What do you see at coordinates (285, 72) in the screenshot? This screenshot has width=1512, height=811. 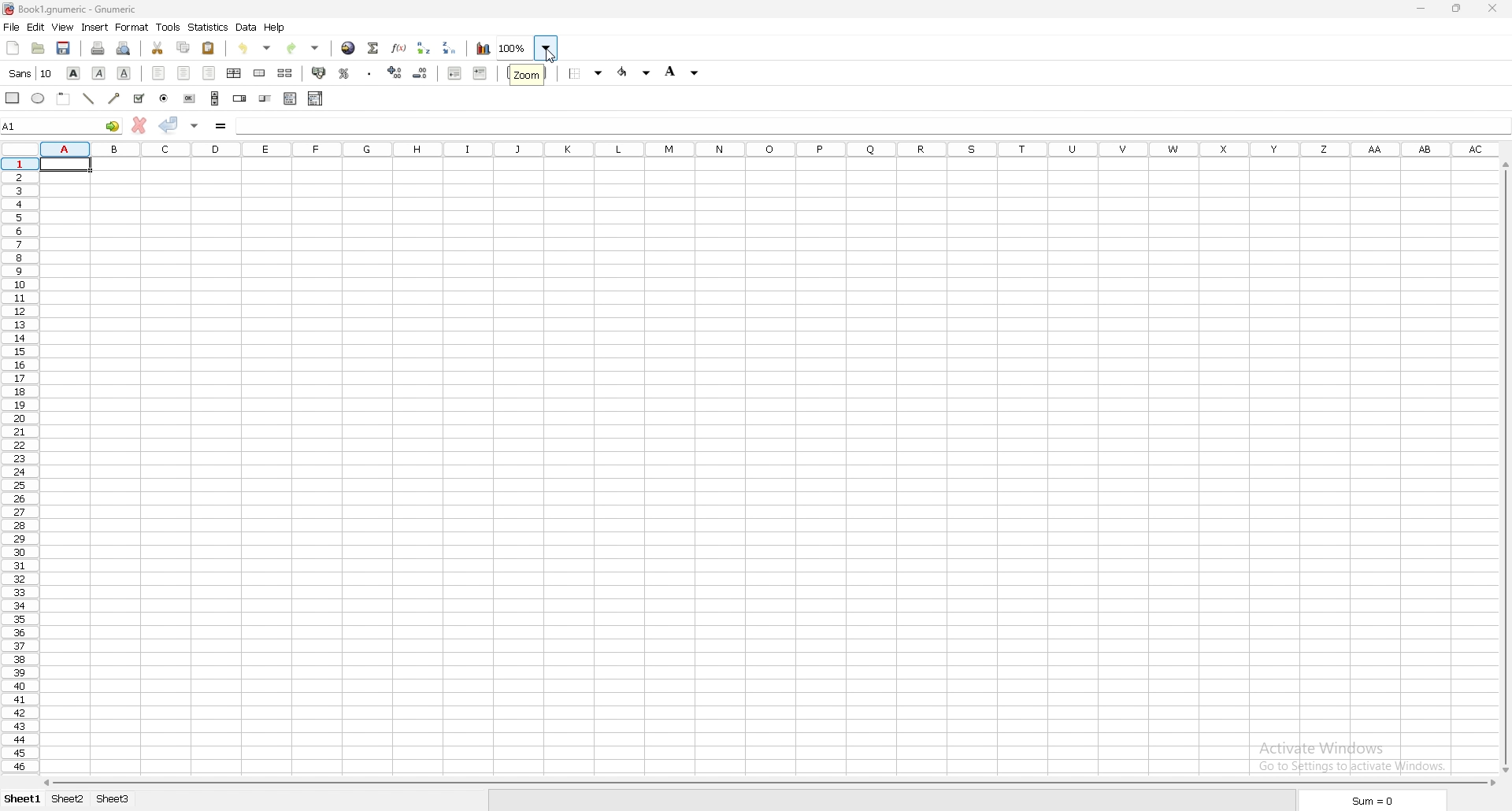 I see `split merged cells` at bounding box center [285, 72].